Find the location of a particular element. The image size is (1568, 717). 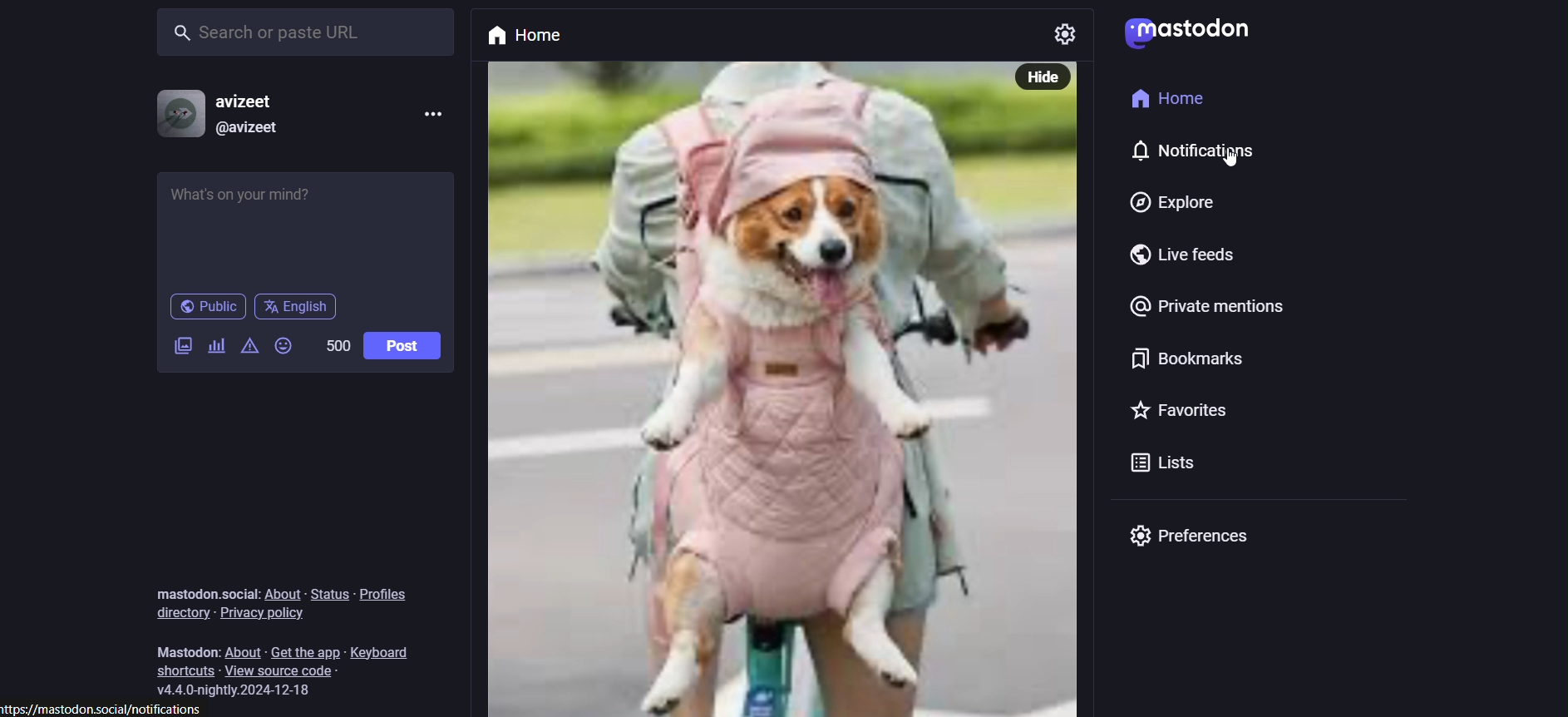

post with picture is located at coordinates (738, 388).